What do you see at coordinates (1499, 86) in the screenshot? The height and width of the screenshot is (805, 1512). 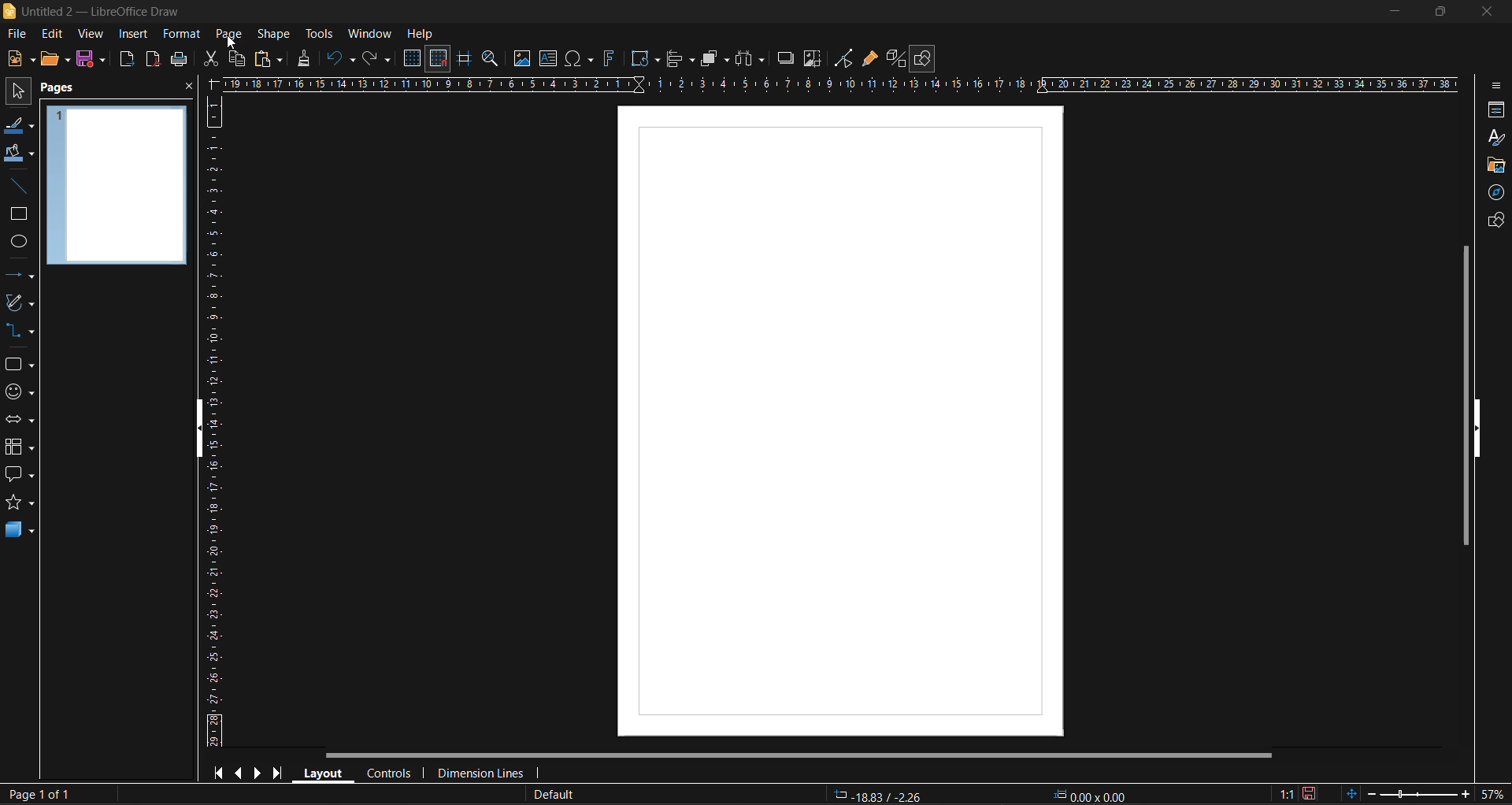 I see `sidebar settings` at bounding box center [1499, 86].